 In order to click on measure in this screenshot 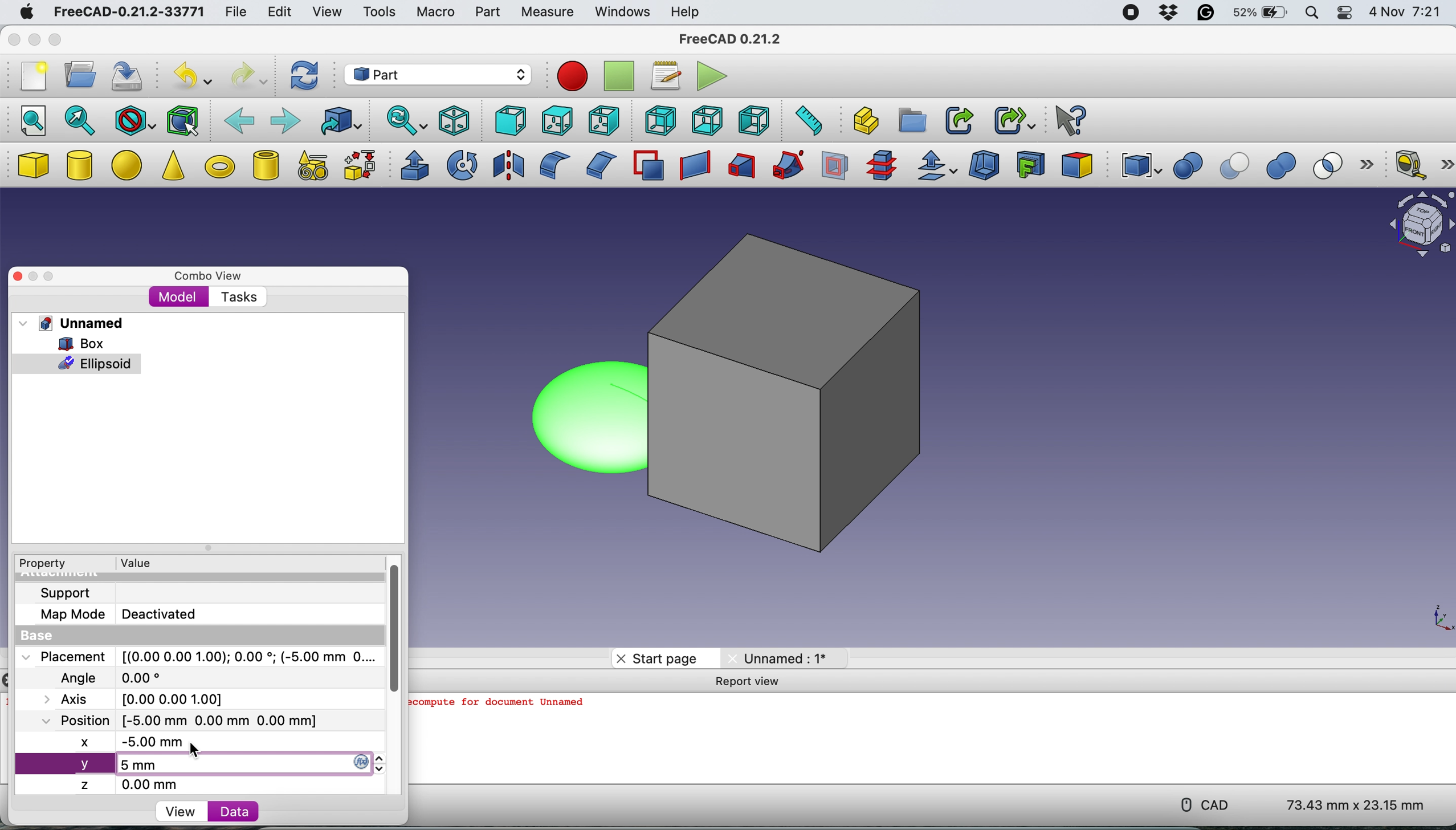, I will do `click(546, 13)`.